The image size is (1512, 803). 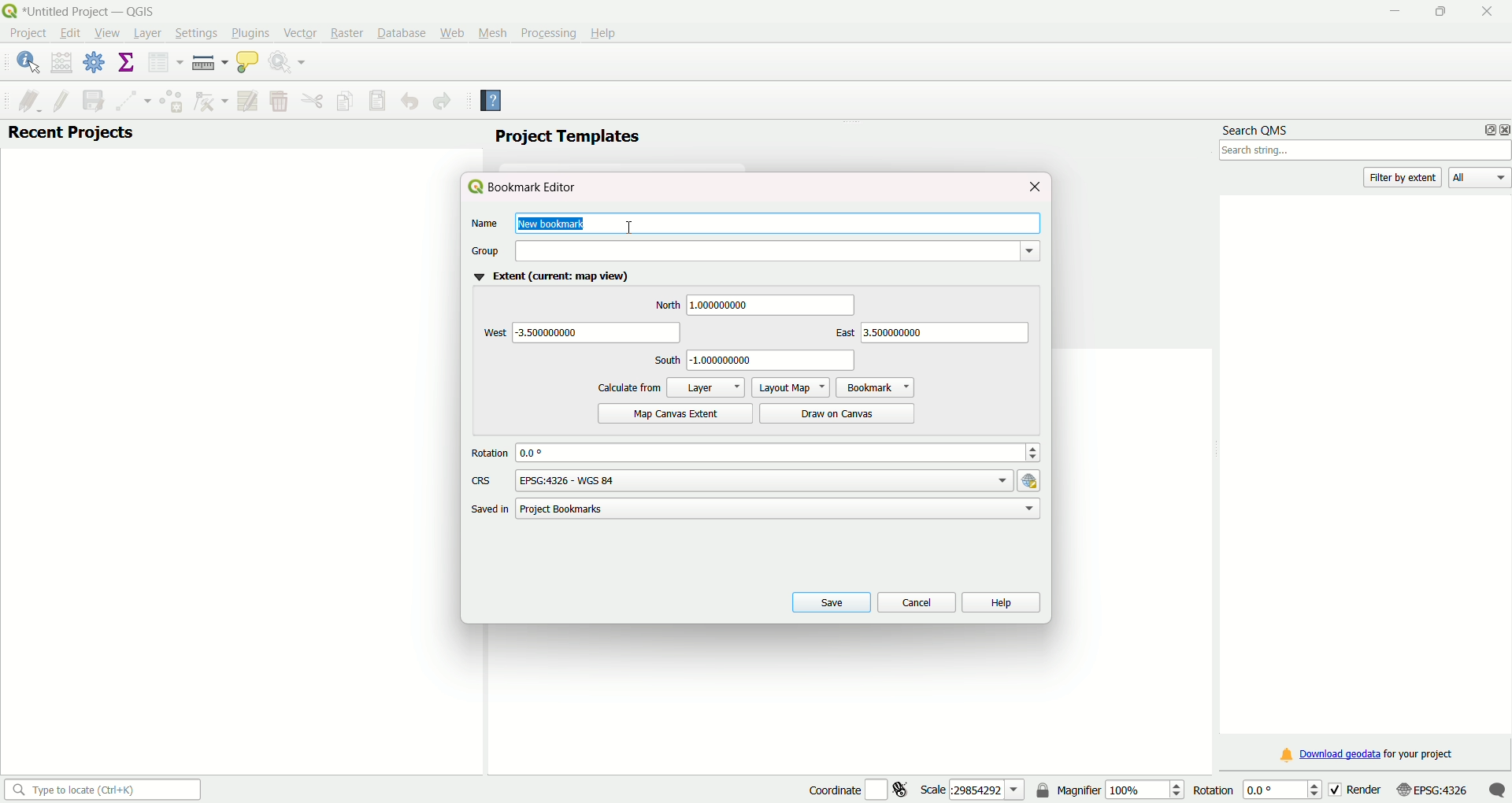 I want to click on logo and title, so click(x=82, y=10).